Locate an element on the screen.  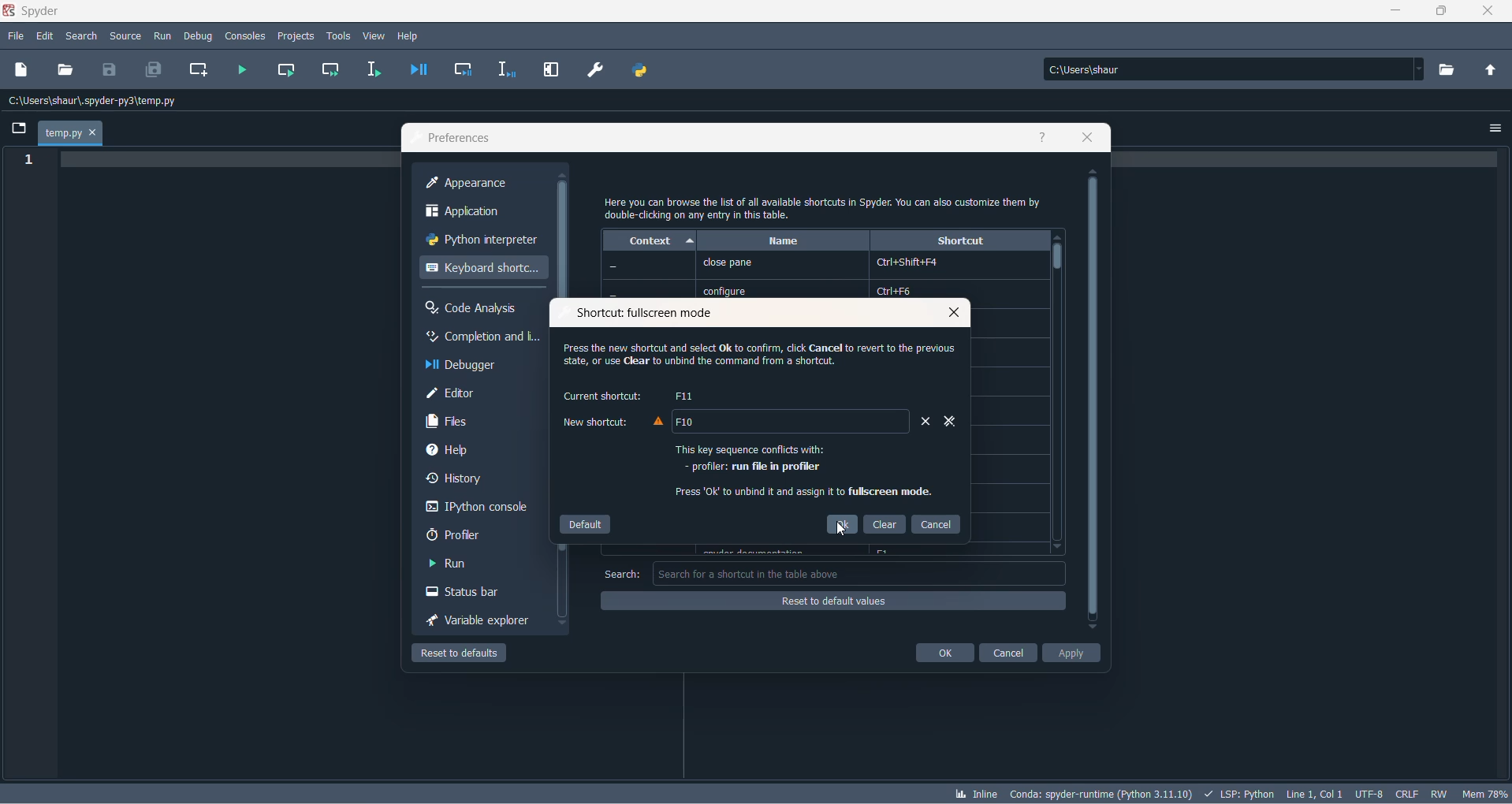
directory is located at coordinates (1451, 70).